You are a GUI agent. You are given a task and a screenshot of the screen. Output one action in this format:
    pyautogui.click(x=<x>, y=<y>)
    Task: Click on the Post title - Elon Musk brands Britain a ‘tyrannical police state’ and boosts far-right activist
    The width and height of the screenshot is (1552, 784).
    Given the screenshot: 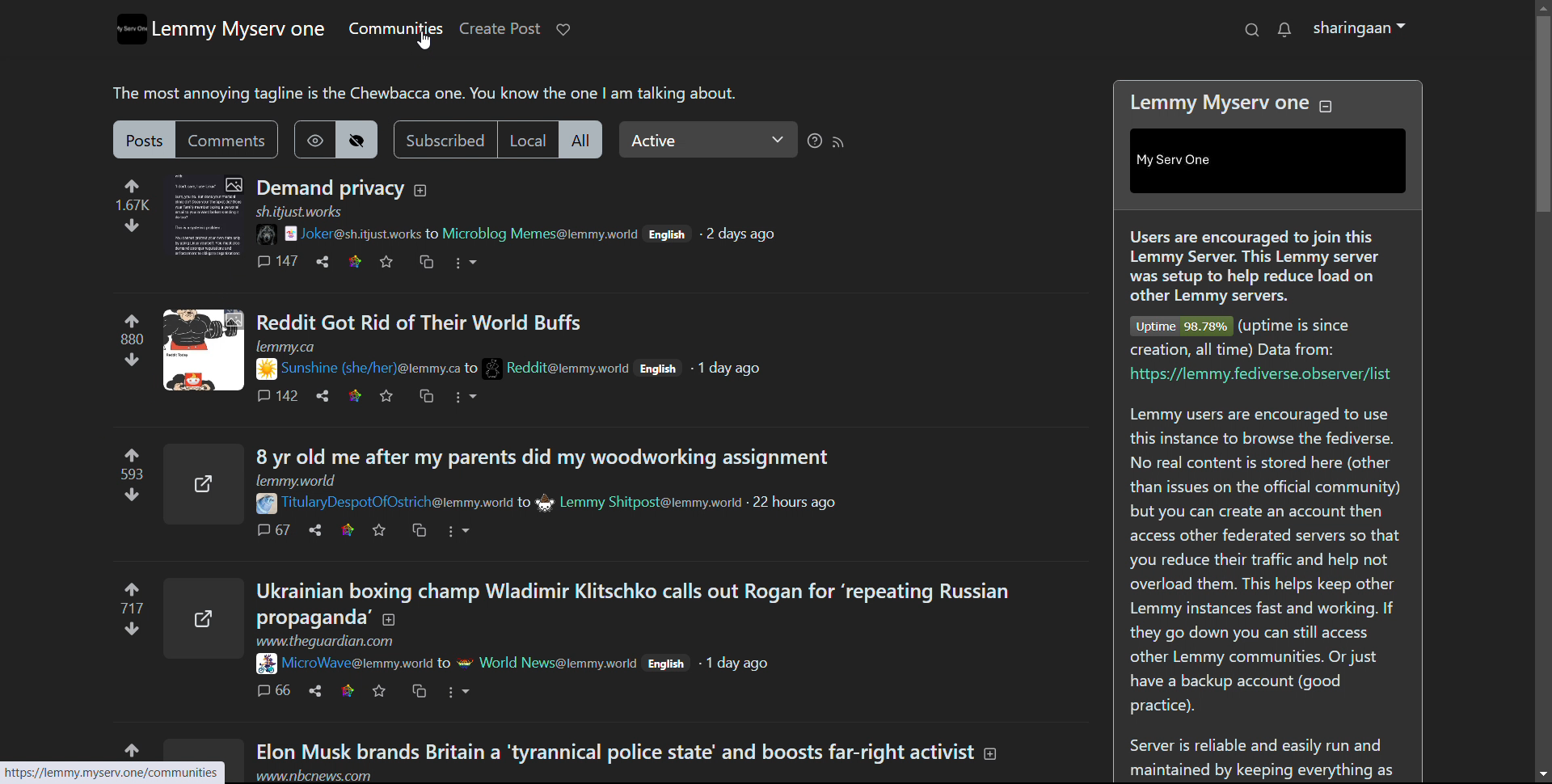 What is the action you would take?
    pyautogui.click(x=644, y=749)
    